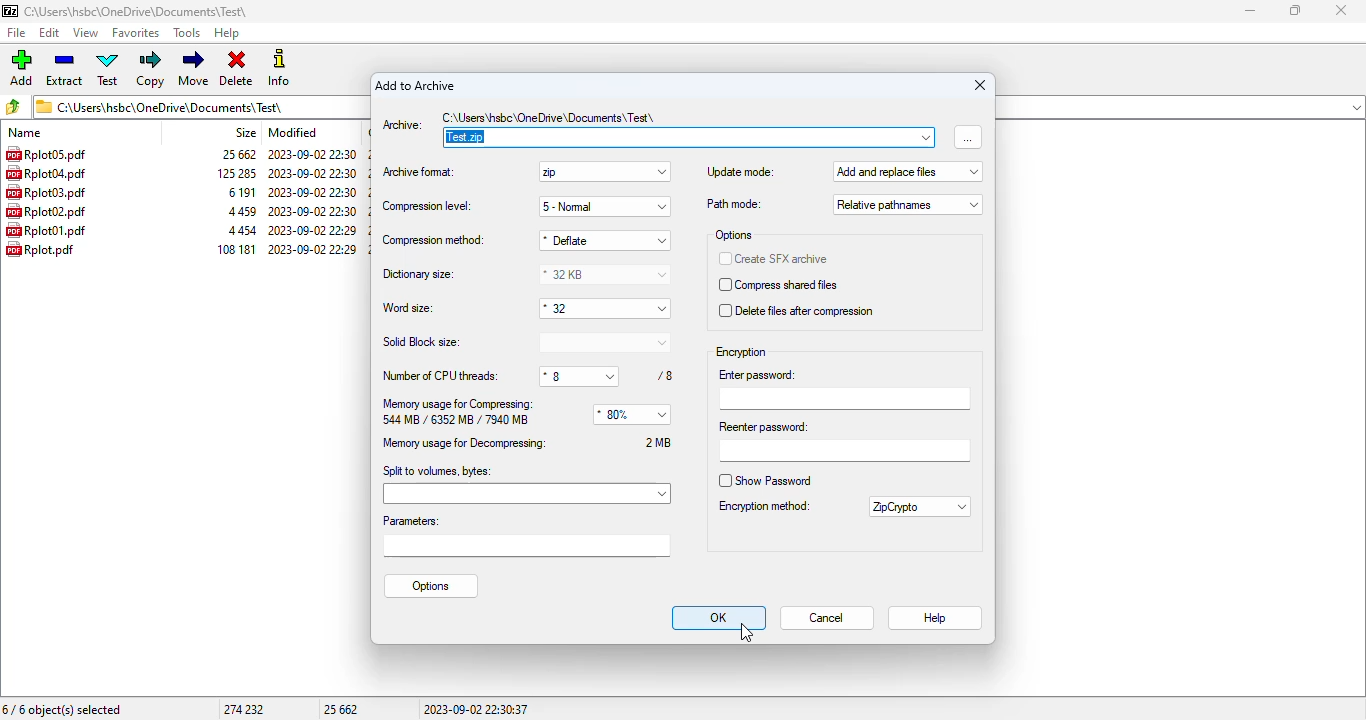  Describe the element at coordinates (842, 390) in the screenshot. I see `enter password: ` at that location.